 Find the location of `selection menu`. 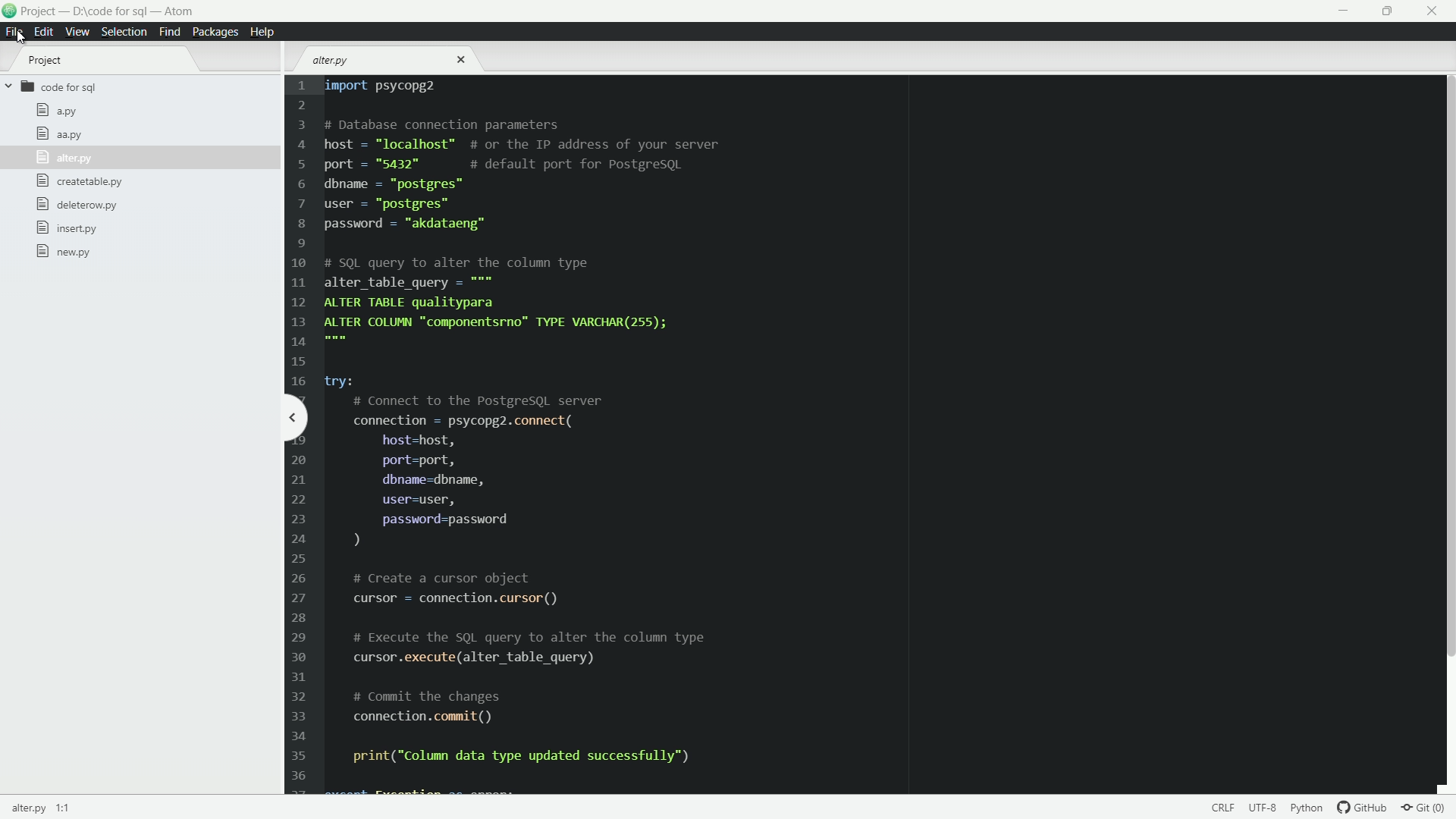

selection menu is located at coordinates (124, 33).